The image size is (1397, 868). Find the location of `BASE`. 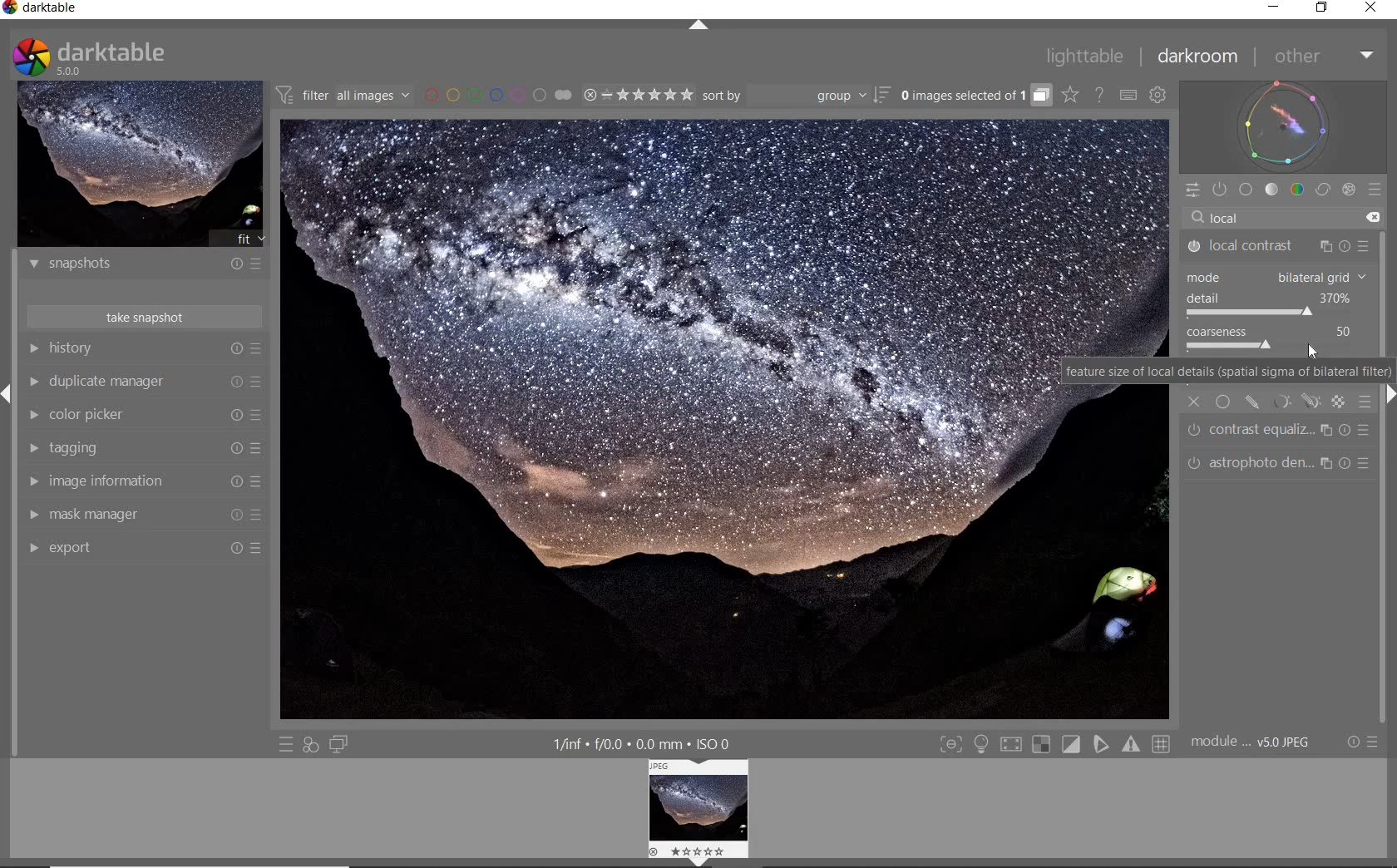

BASE is located at coordinates (1246, 189).